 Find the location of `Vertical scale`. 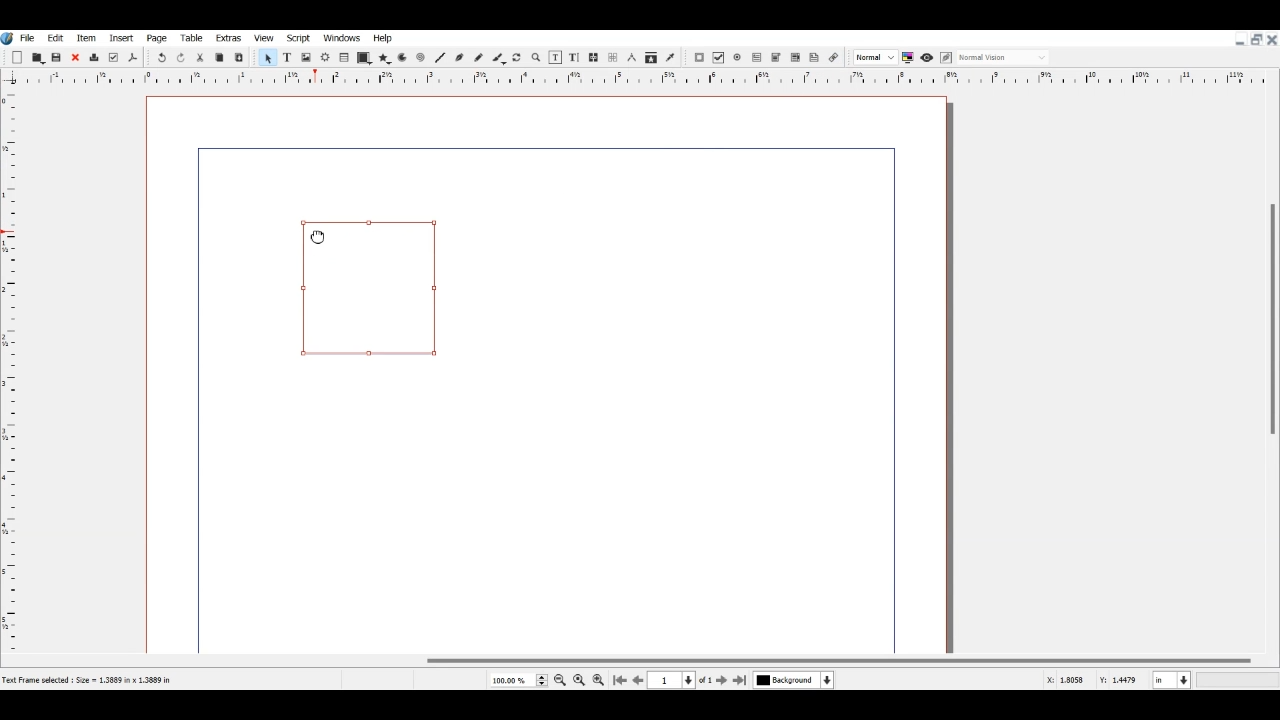

Vertical scale is located at coordinates (628, 79).